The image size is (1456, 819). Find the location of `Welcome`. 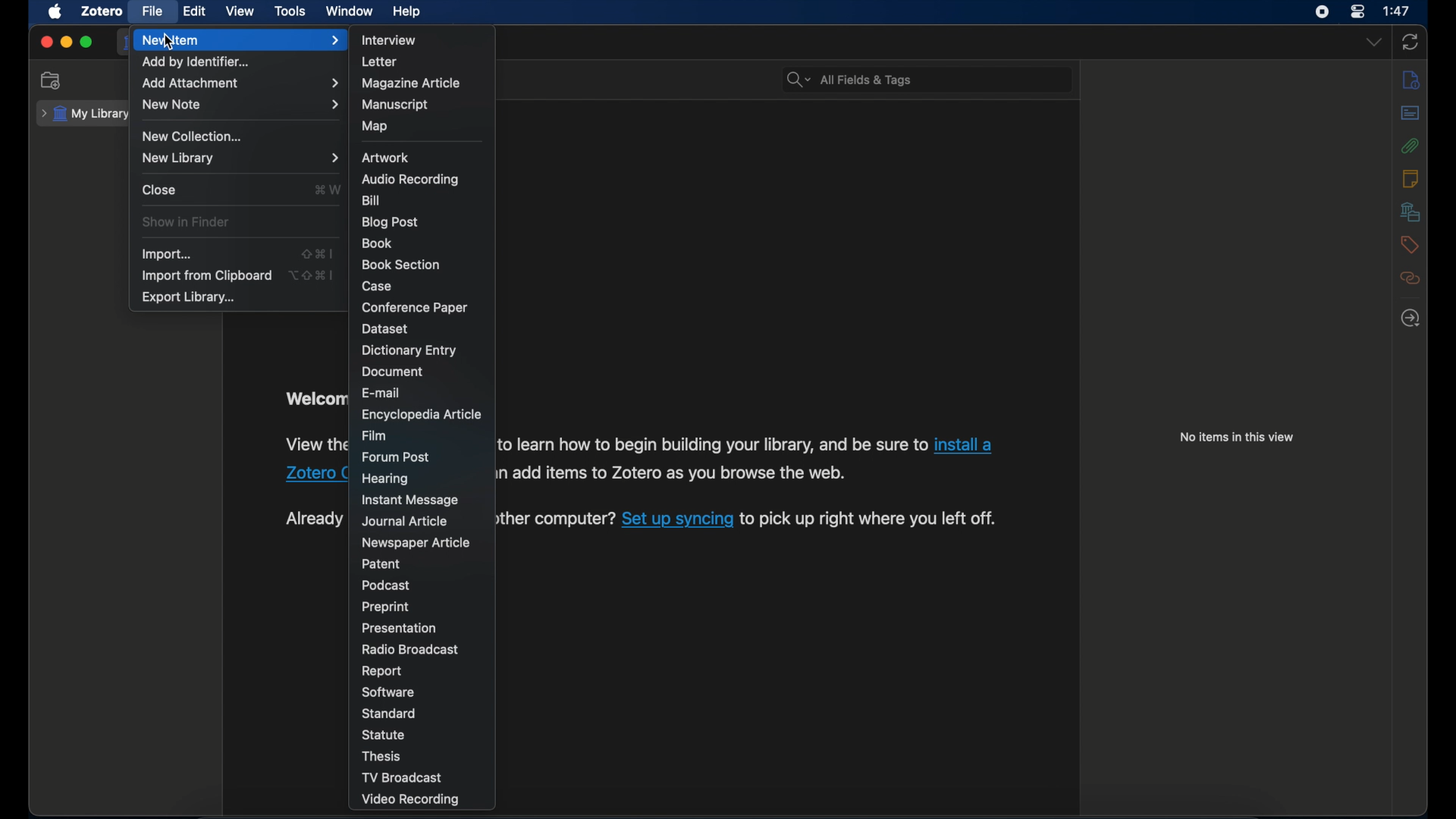

Welcome is located at coordinates (312, 400).